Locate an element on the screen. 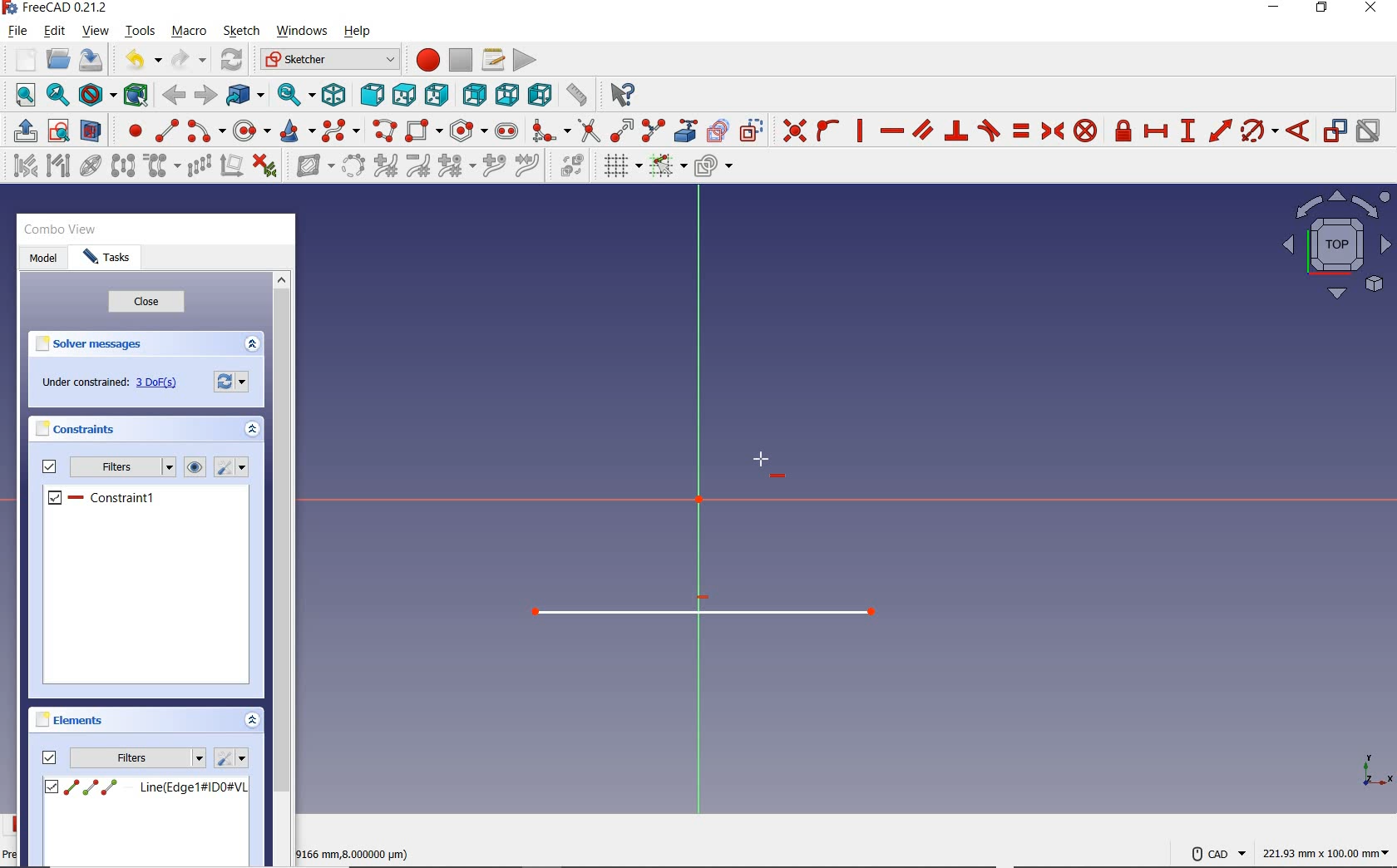 This screenshot has height=868, width=1397. DELETE ALL CONSTRAINTS is located at coordinates (265, 165).